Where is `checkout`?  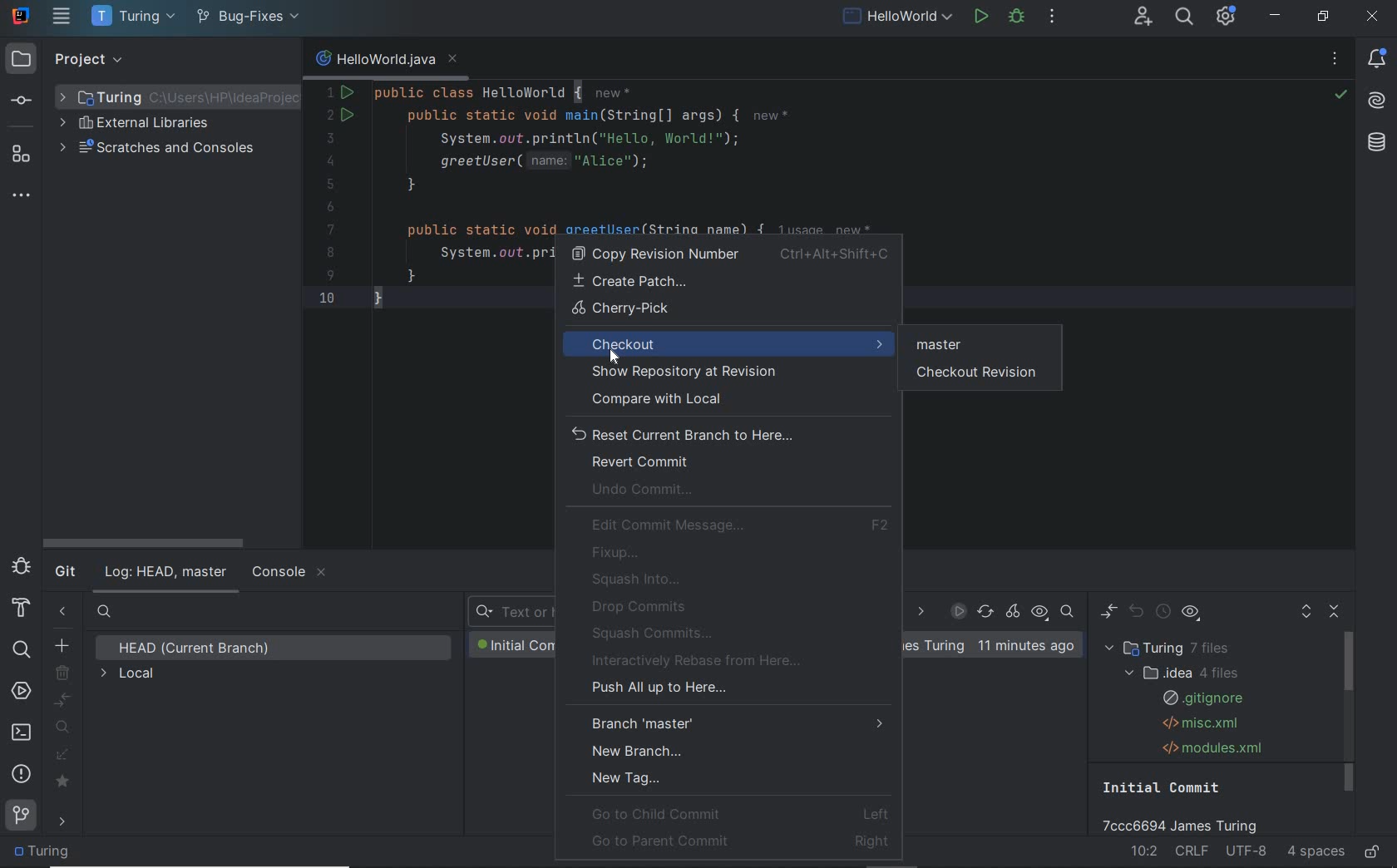
checkout is located at coordinates (728, 343).